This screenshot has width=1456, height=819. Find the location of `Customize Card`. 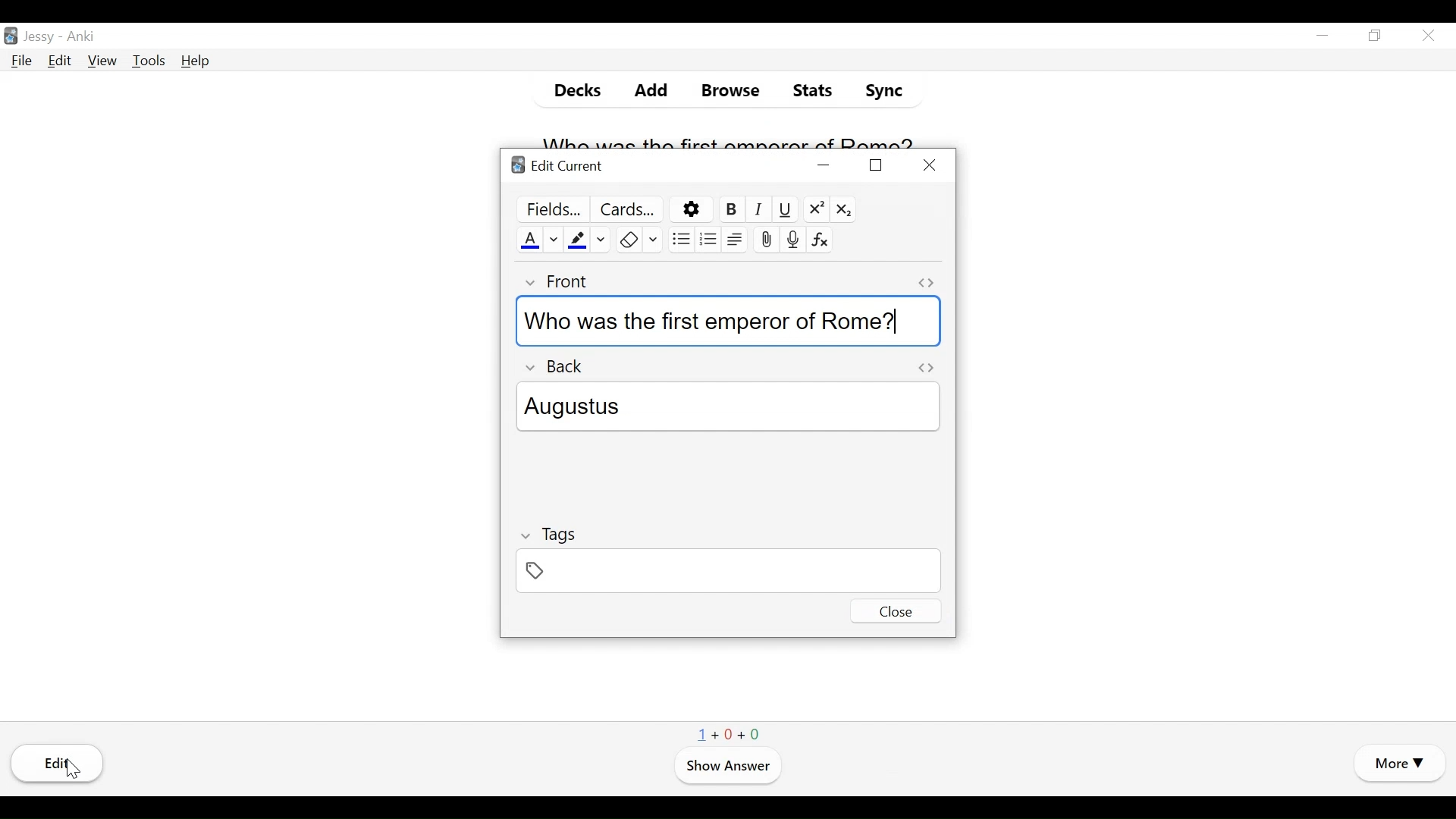

Customize Card is located at coordinates (627, 209).